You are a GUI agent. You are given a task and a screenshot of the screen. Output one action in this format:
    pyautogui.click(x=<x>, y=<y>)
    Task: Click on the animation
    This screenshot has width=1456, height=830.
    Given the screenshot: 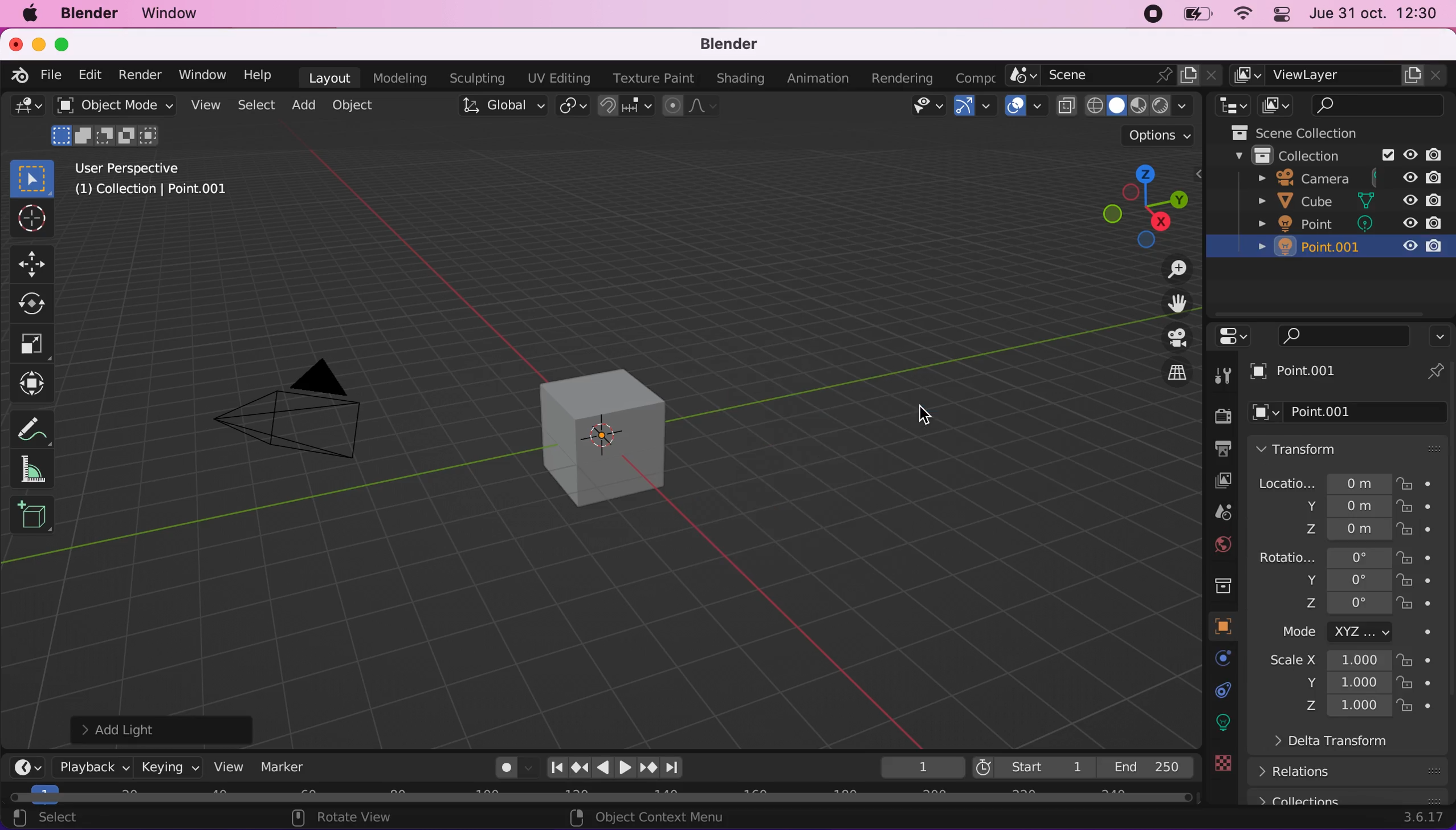 What is the action you would take?
    pyautogui.click(x=823, y=79)
    